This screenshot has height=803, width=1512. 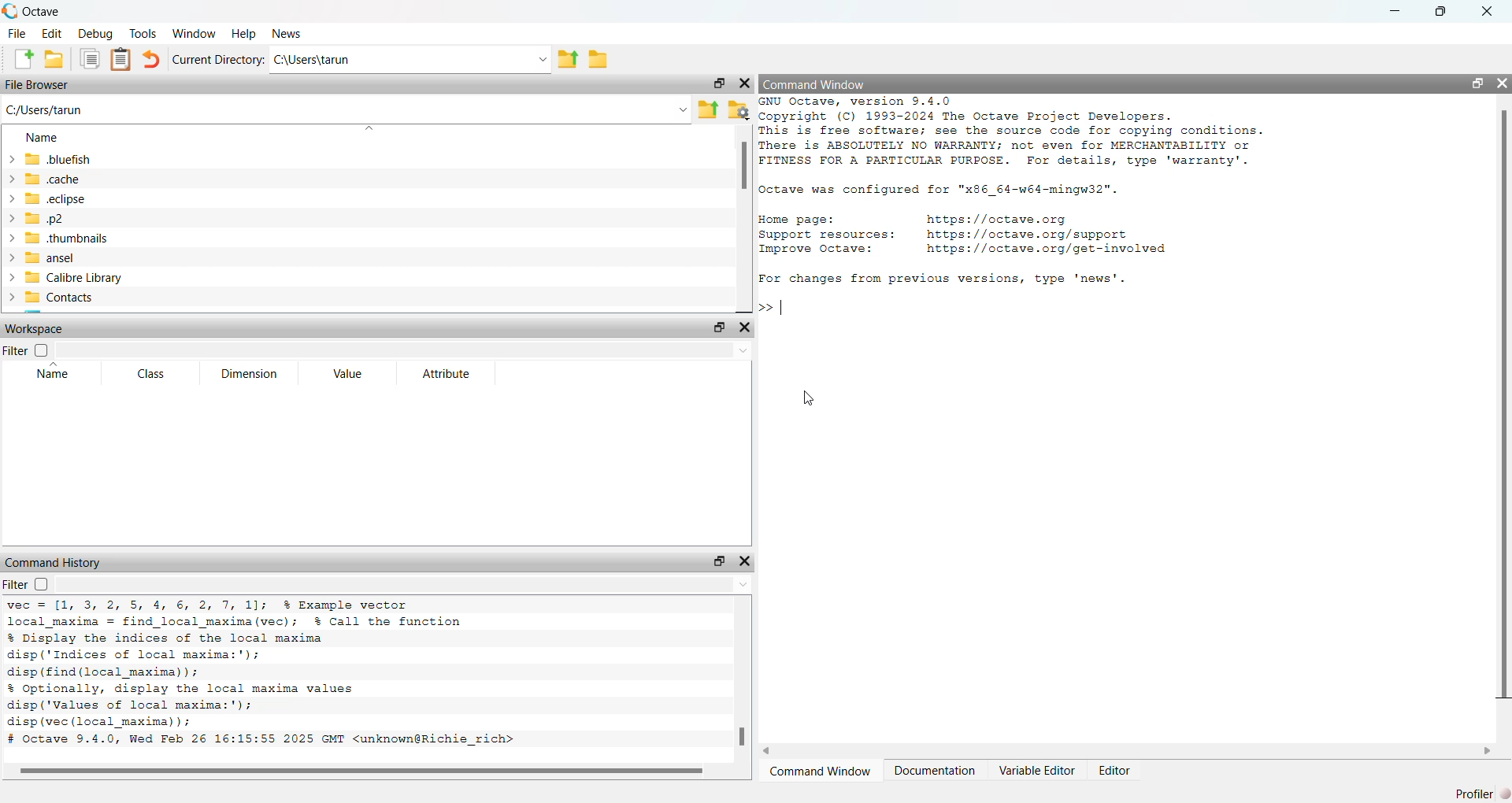 What do you see at coordinates (56, 562) in the screenshot?
I see `Command History` at bounding box center [56, 562].